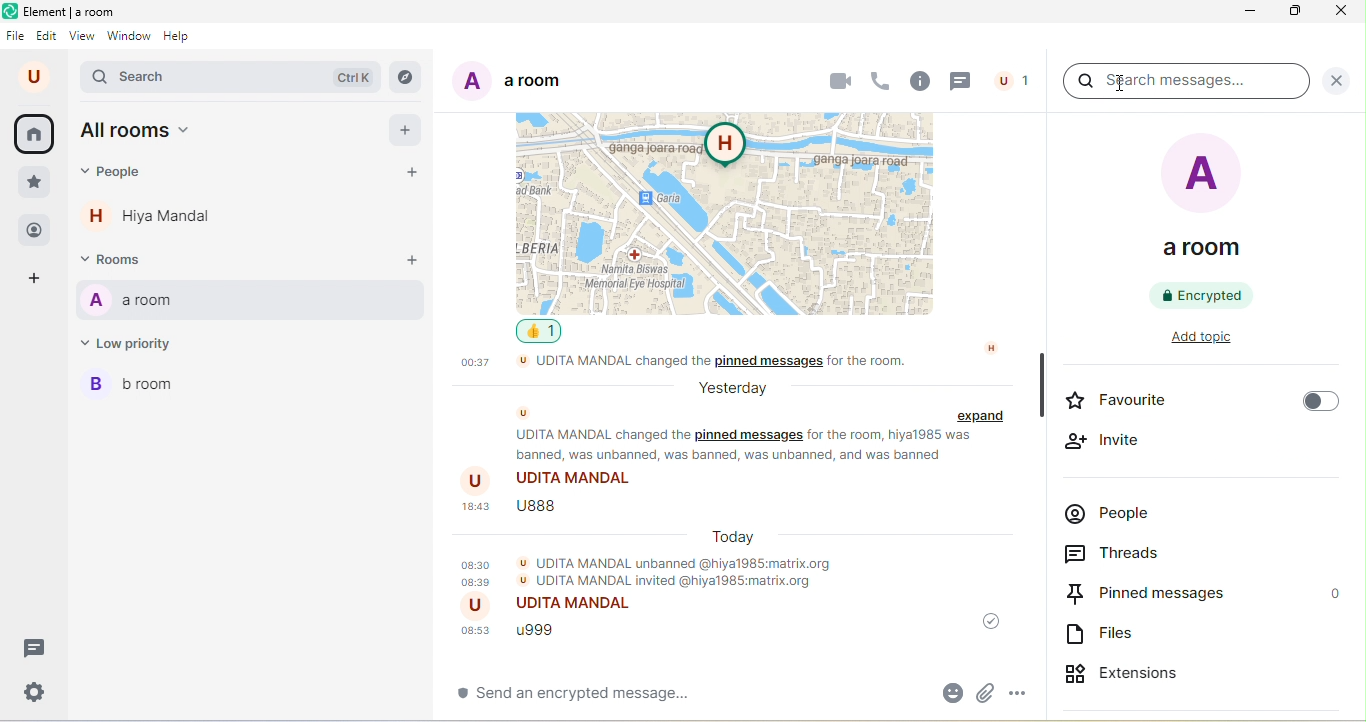 Image resolution: width=1366 pixels, height=722 pixels. Describe the element at coordinates (735, 536) in the screenshot. I see `today` at that location.